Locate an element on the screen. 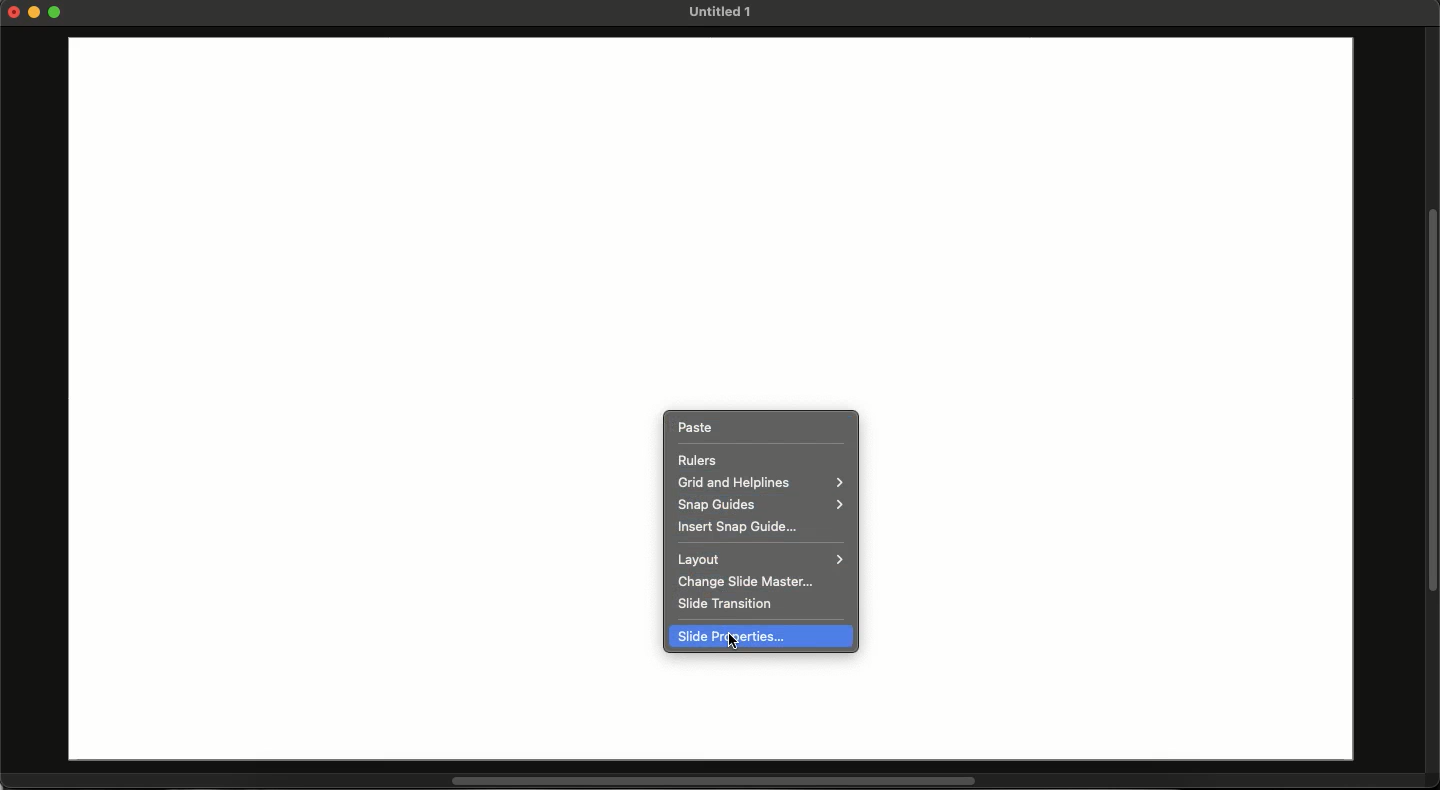 The width and height of the screenshot is (1440, 790). vertical Scroll bar is located at coordinates (1431, 398).